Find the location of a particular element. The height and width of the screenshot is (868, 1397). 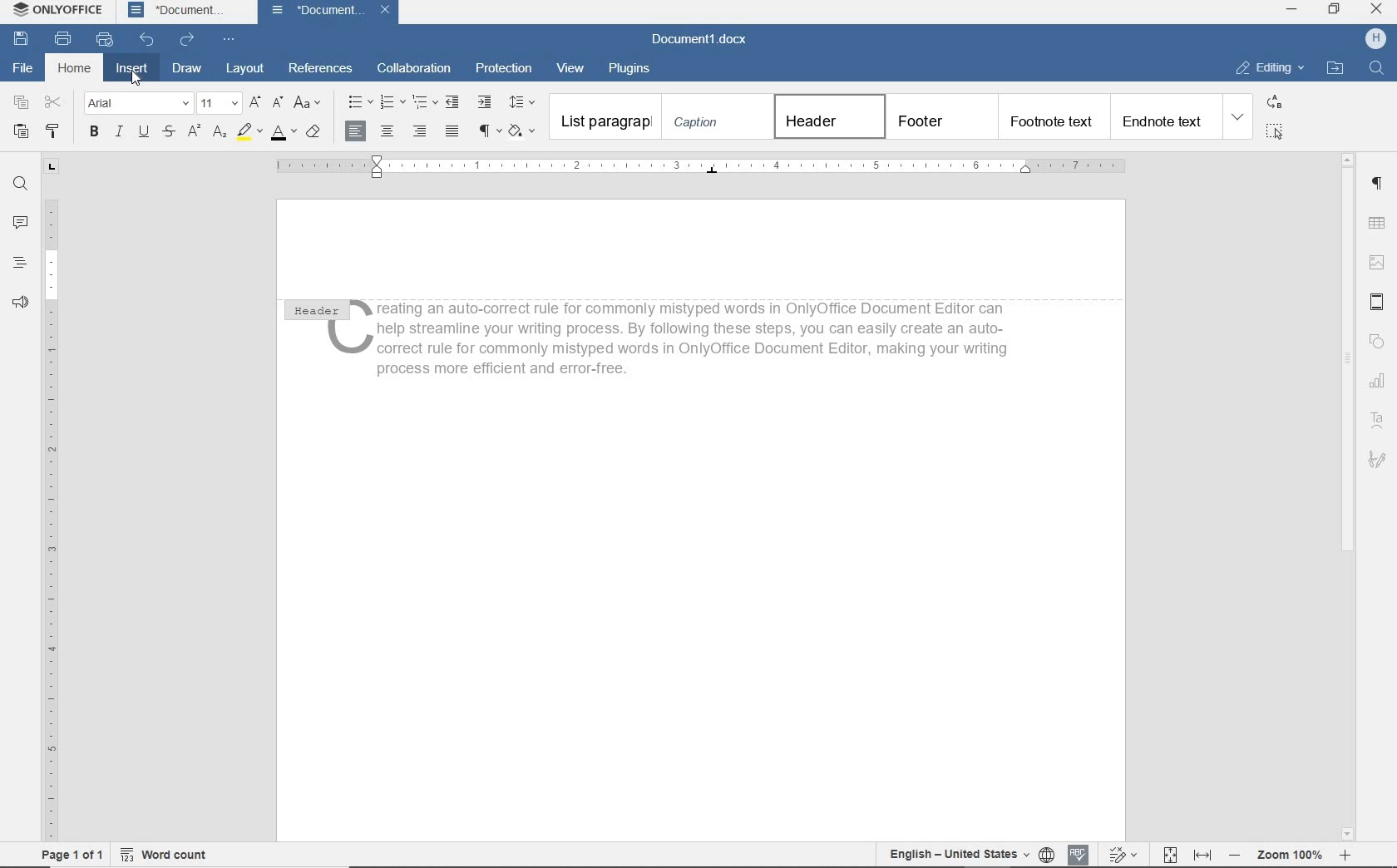

HEADER & FOOTER is located at coordinates (1377, 303).